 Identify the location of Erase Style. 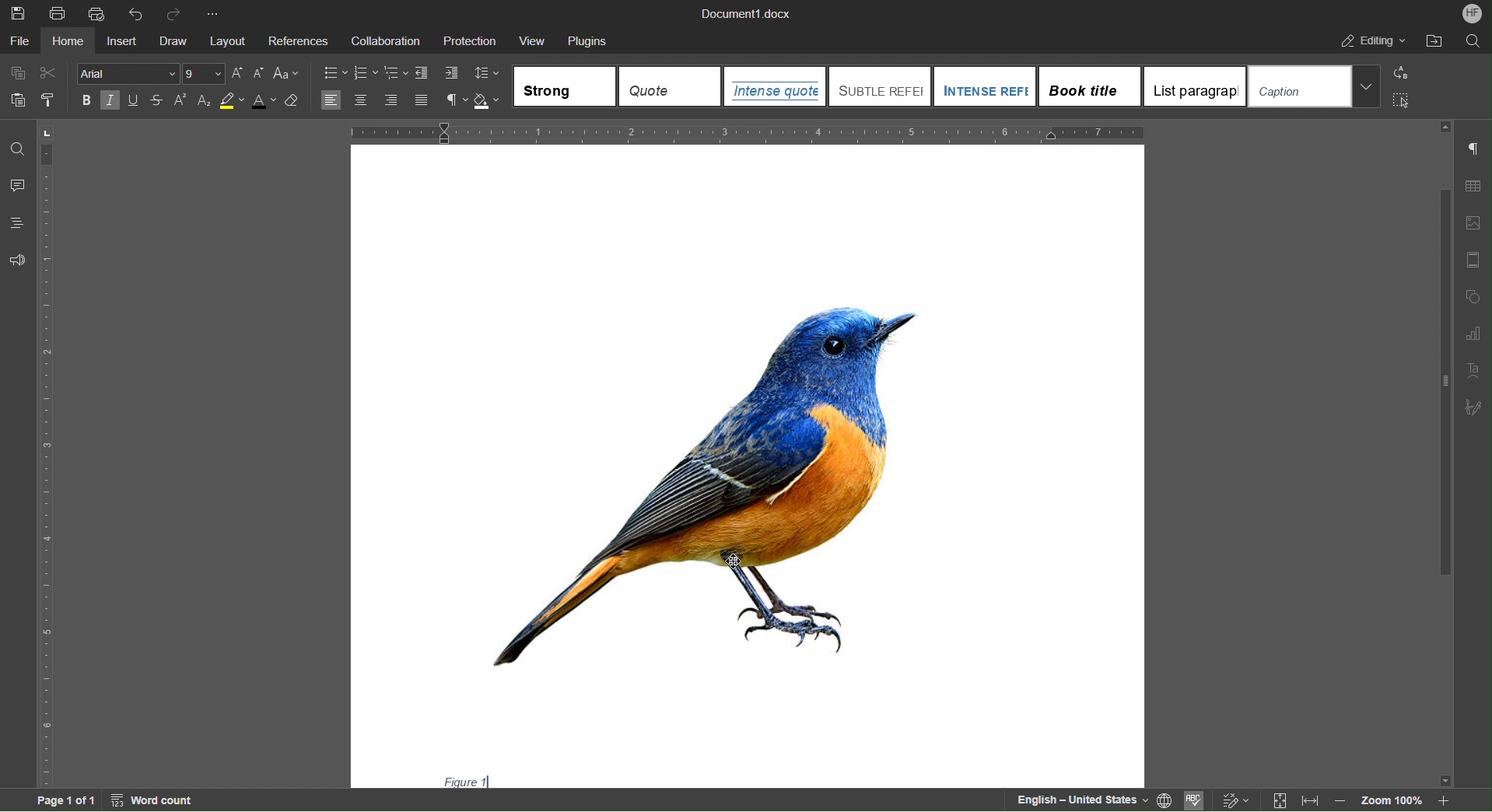
(296, 102).